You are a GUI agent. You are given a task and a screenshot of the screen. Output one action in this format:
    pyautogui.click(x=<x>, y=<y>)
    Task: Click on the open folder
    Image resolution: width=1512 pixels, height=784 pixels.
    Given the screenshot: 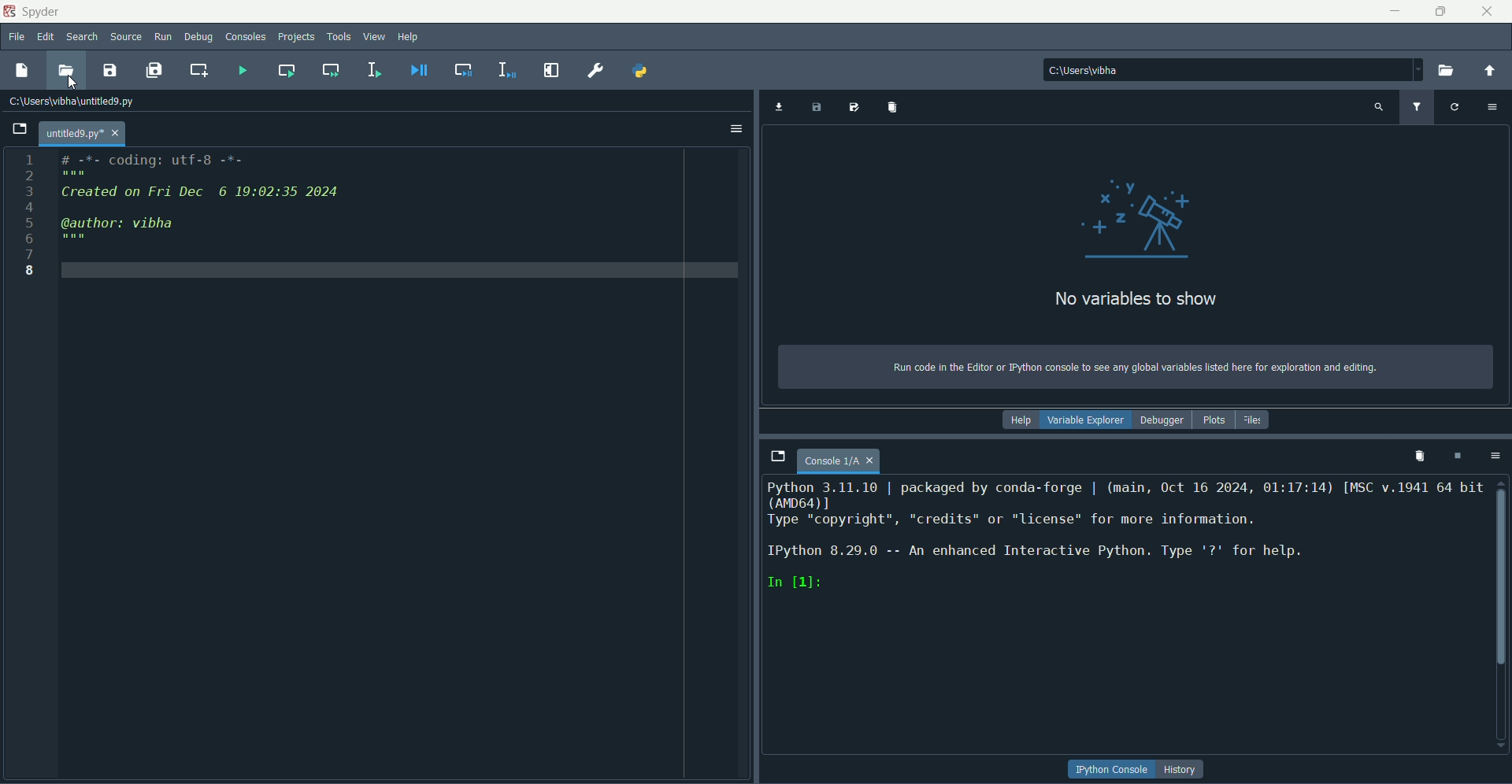 What is the action you would take?
    pyautogui.click(x=1450, y=70)
    